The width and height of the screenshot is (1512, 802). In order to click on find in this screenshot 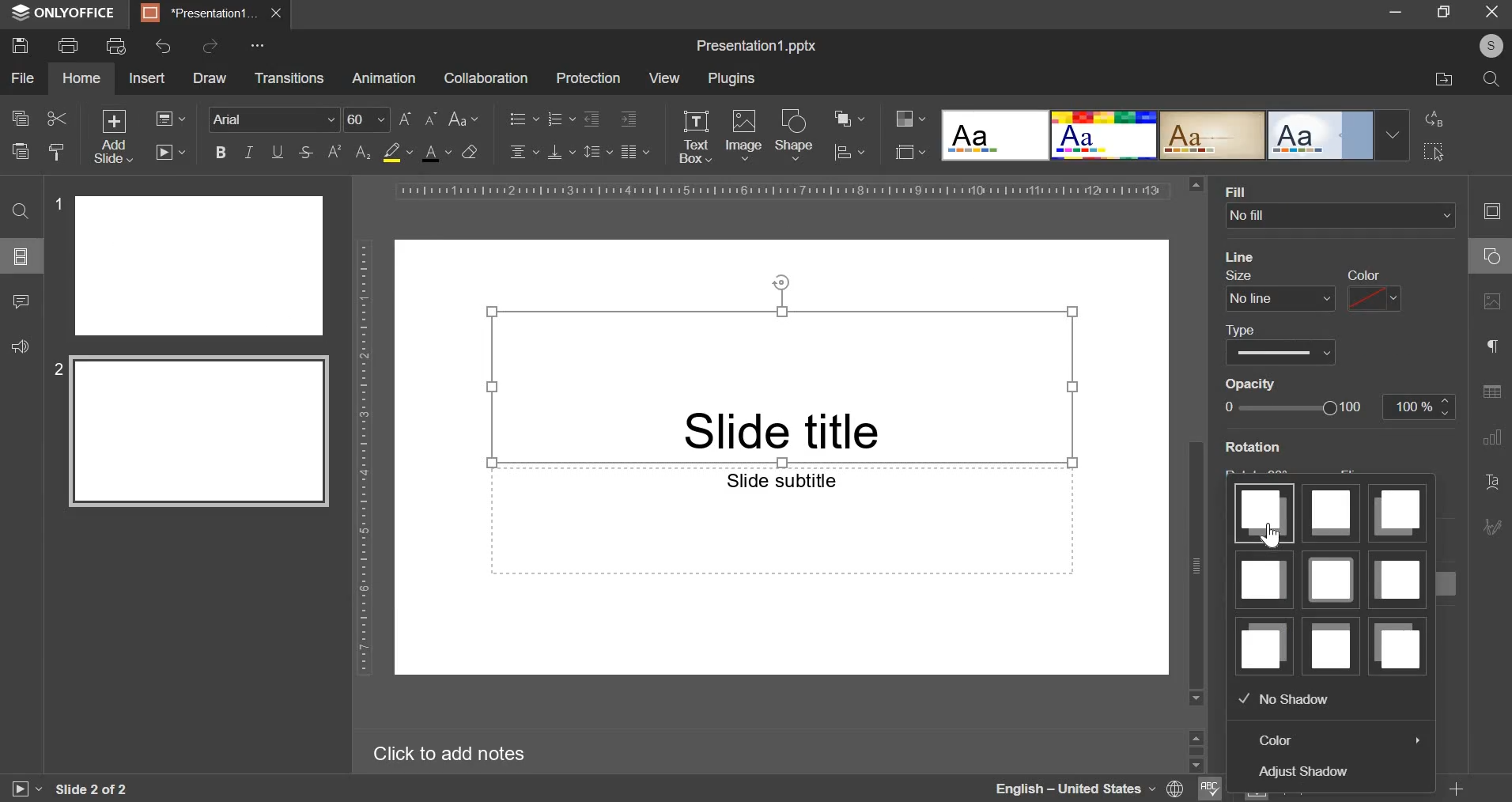, I will do `click(20, 210)`.